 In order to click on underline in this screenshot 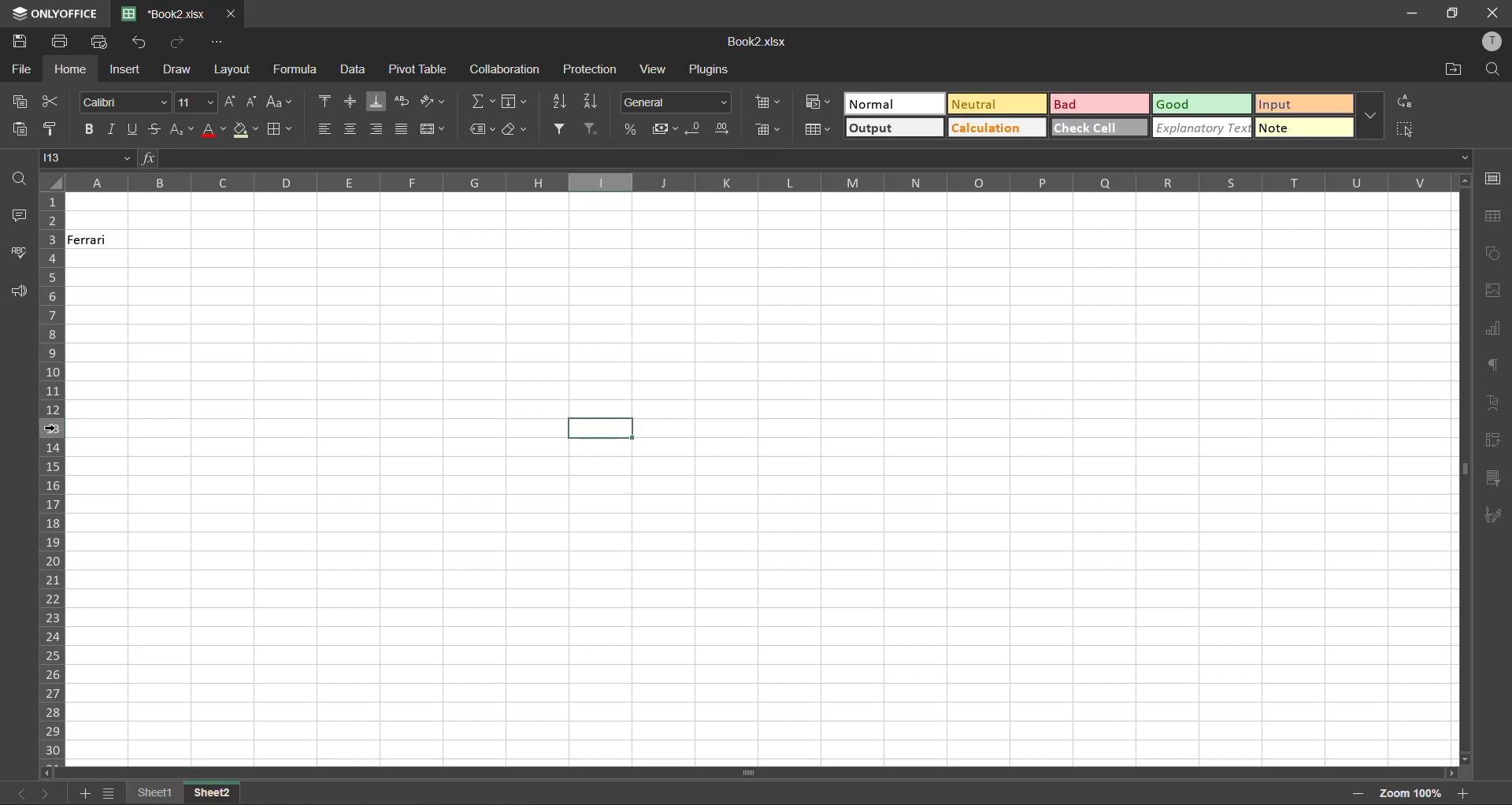, I will do `click(131, 129)`.